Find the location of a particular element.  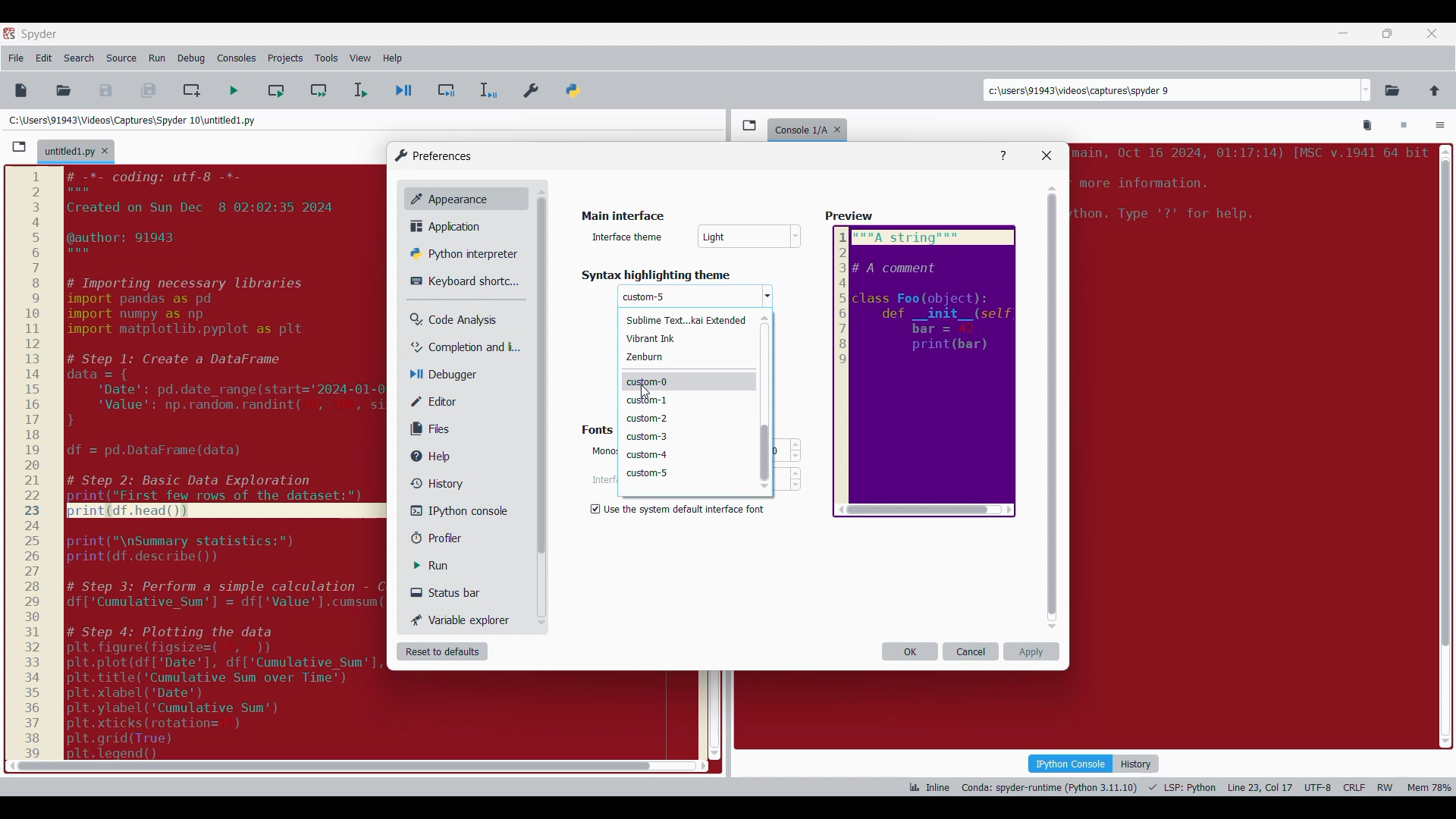

History is located at coordinates (434, 483).